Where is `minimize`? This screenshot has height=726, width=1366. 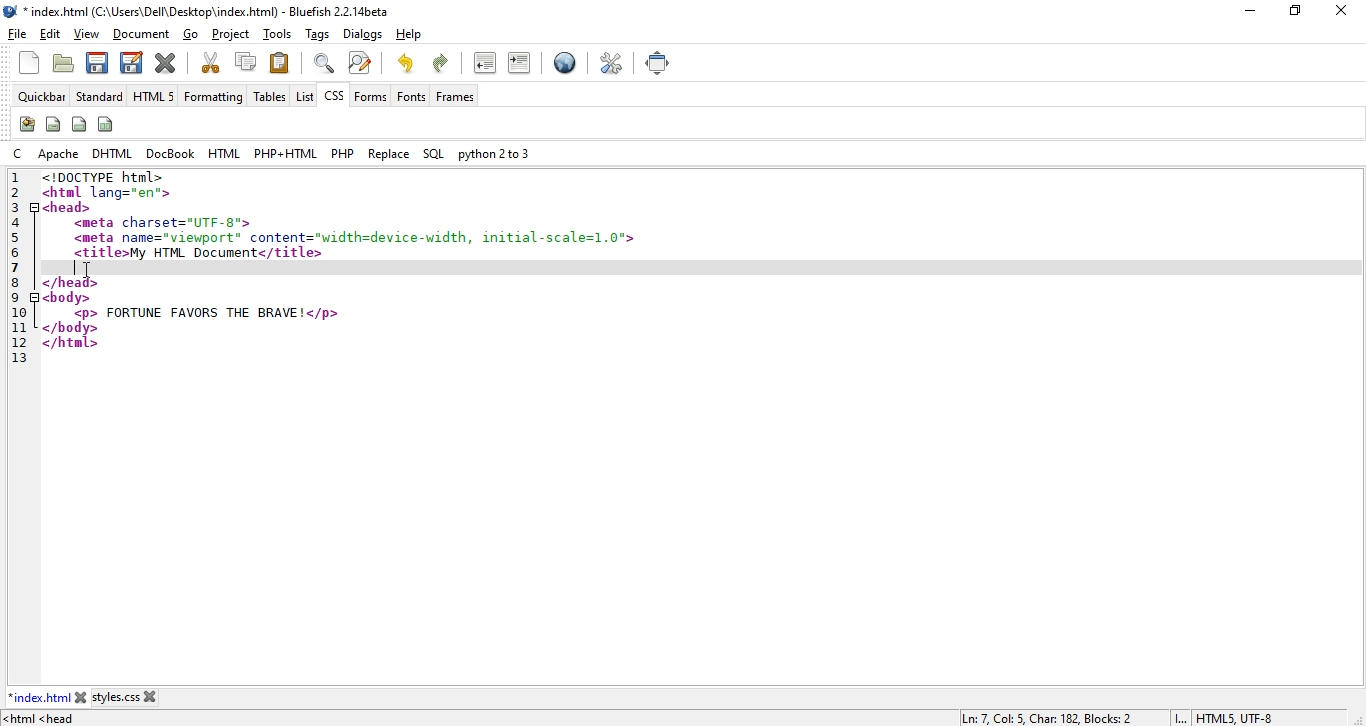 minimize is located at coordinates (1246, 11).